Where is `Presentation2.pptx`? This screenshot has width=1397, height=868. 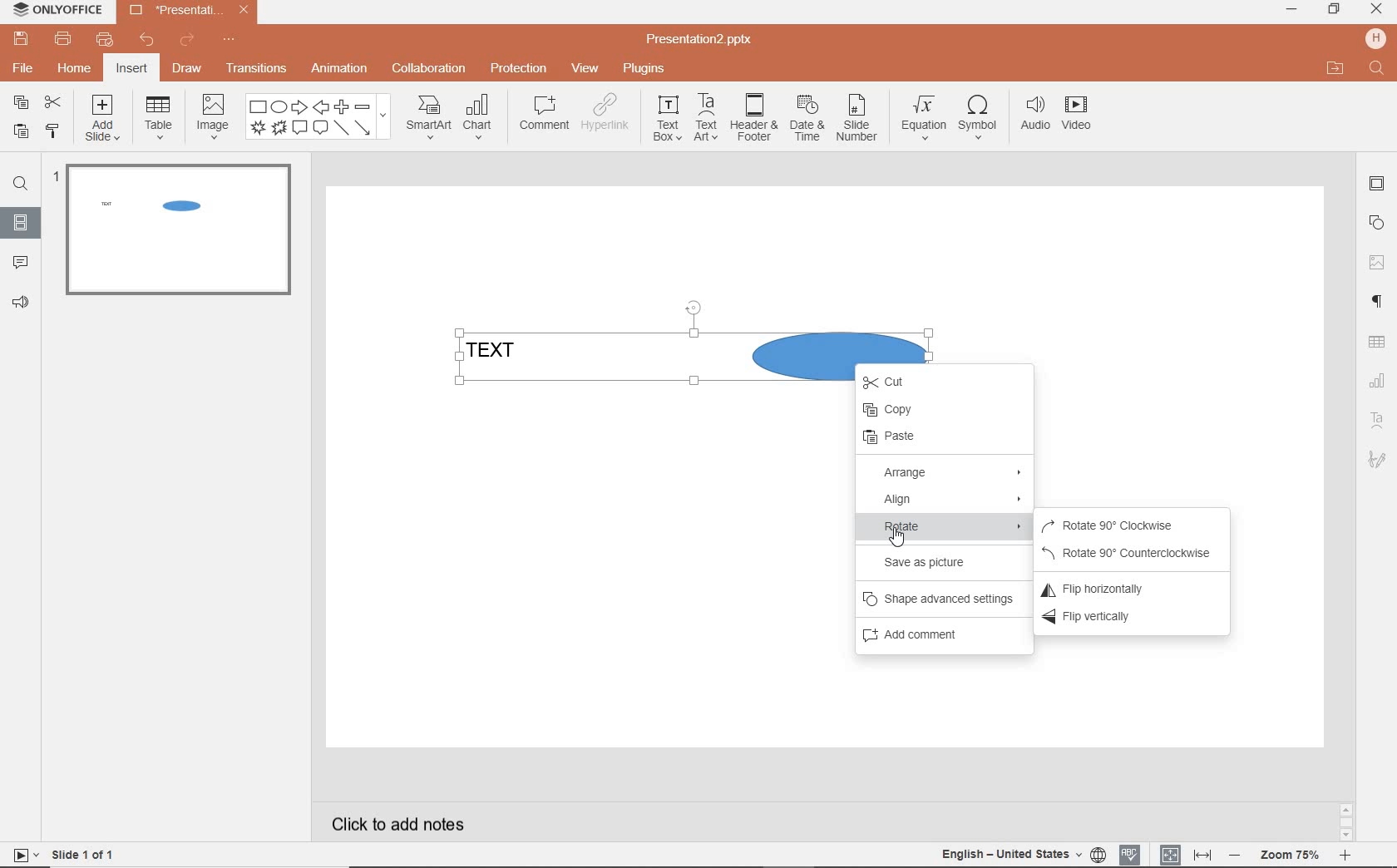 Presentation2.pptx is located at coordinates (700, 40).